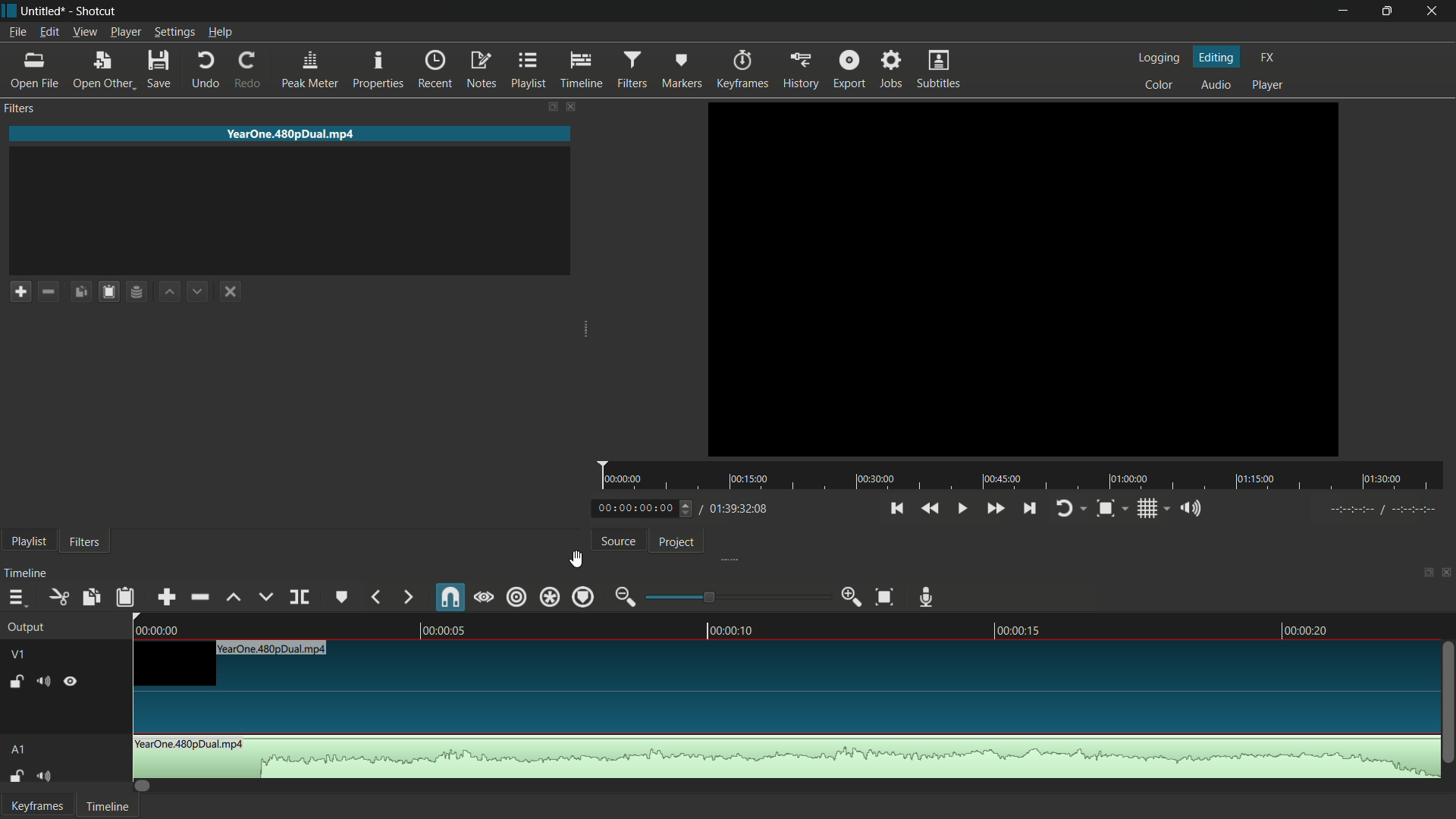 This screenshot has width=1456, height=819. Describe the element at coordinates (1021, 630) in the screenshot. I see `00:00:15` at that location.